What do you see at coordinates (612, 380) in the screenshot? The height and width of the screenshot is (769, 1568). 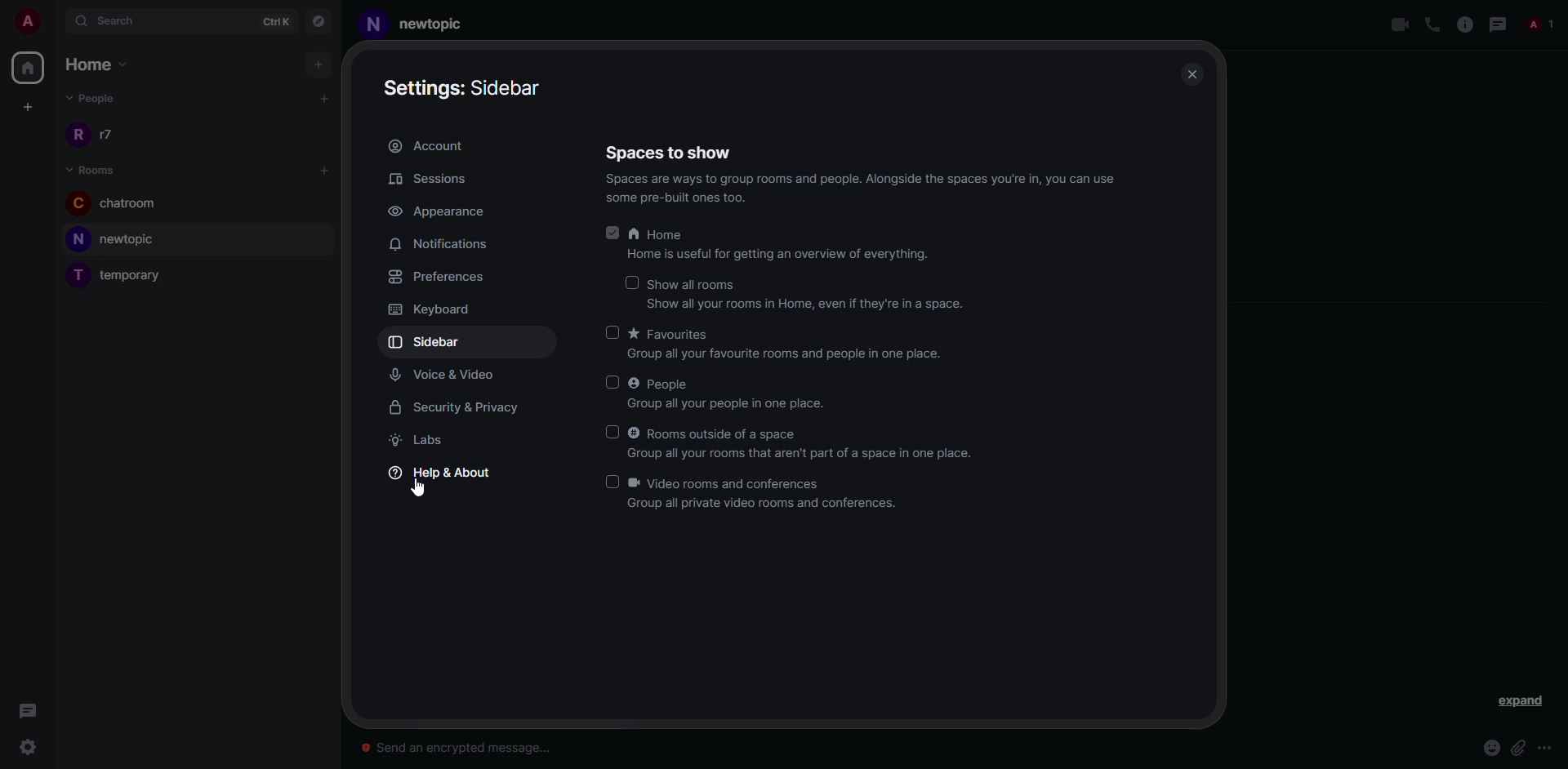 I see `select` at bounding box center [612, 380].